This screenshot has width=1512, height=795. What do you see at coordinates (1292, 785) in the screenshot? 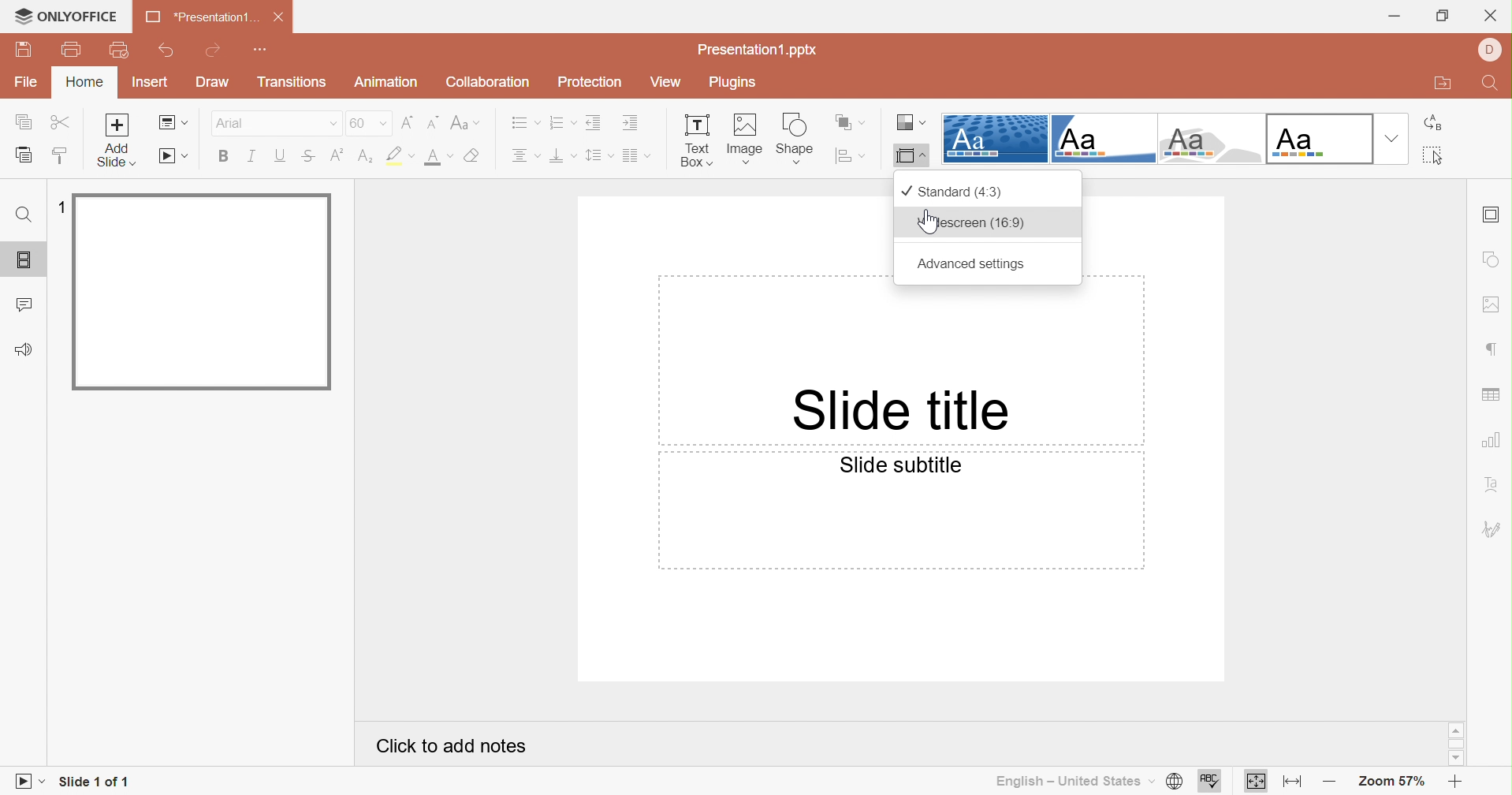
I see `Fit to width` at bounding box center [1292, 785].